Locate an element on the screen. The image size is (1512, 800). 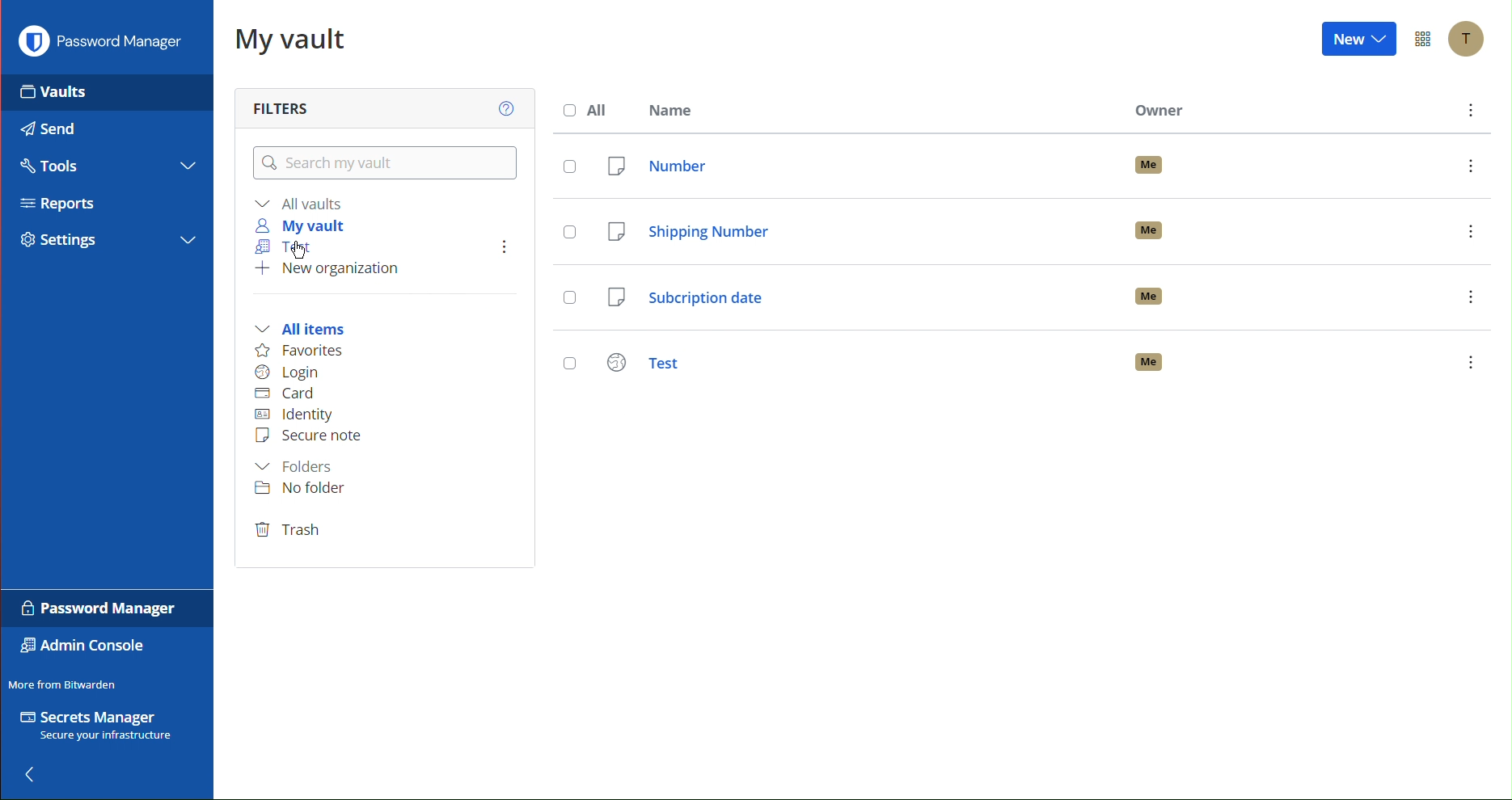
Tools is located at coordinates (53, 169).